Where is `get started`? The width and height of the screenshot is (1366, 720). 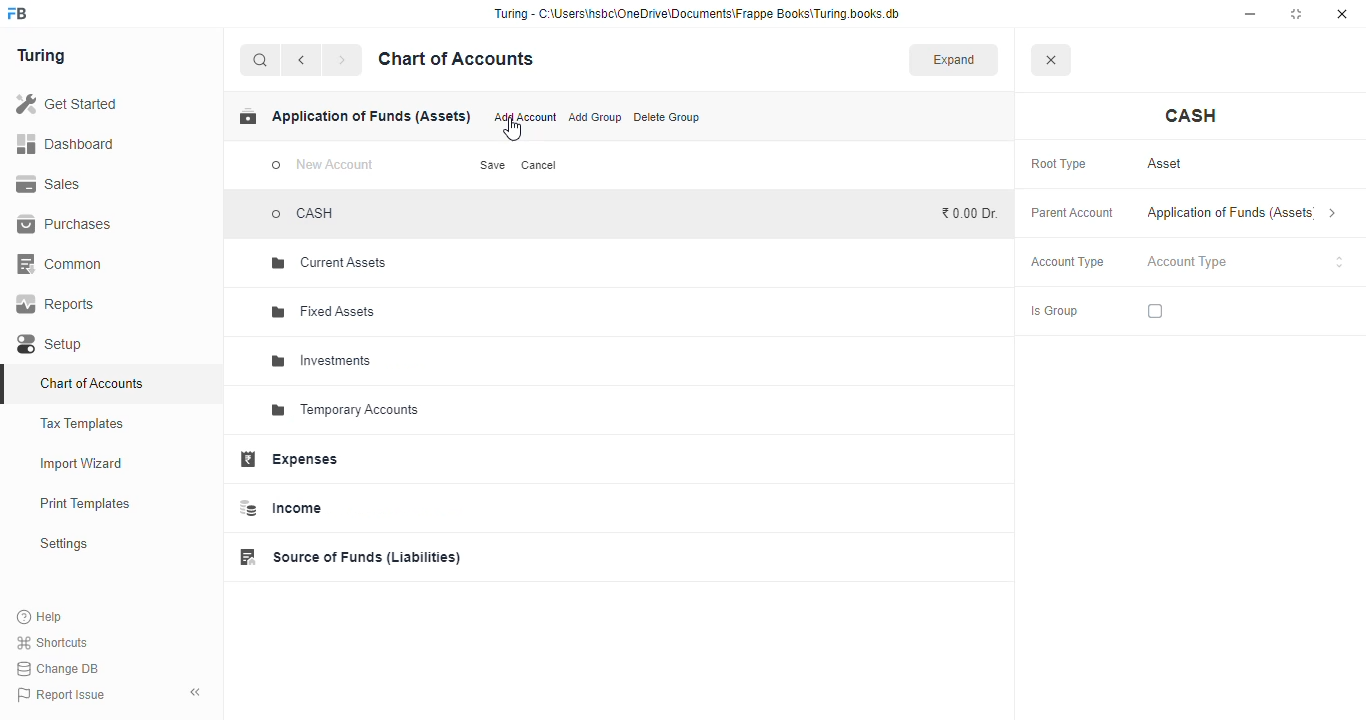 get started is located at coordinates (66, 103).